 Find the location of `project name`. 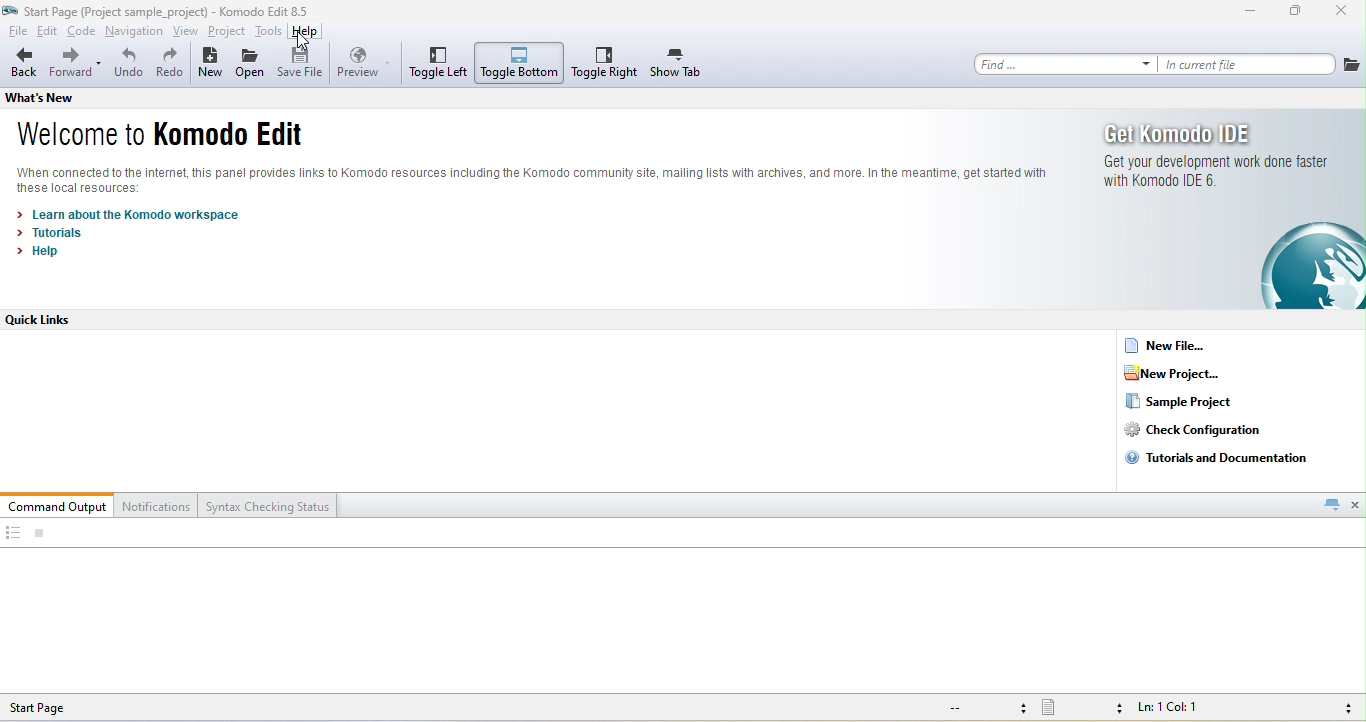

project name is located at coordinates (117, 10).